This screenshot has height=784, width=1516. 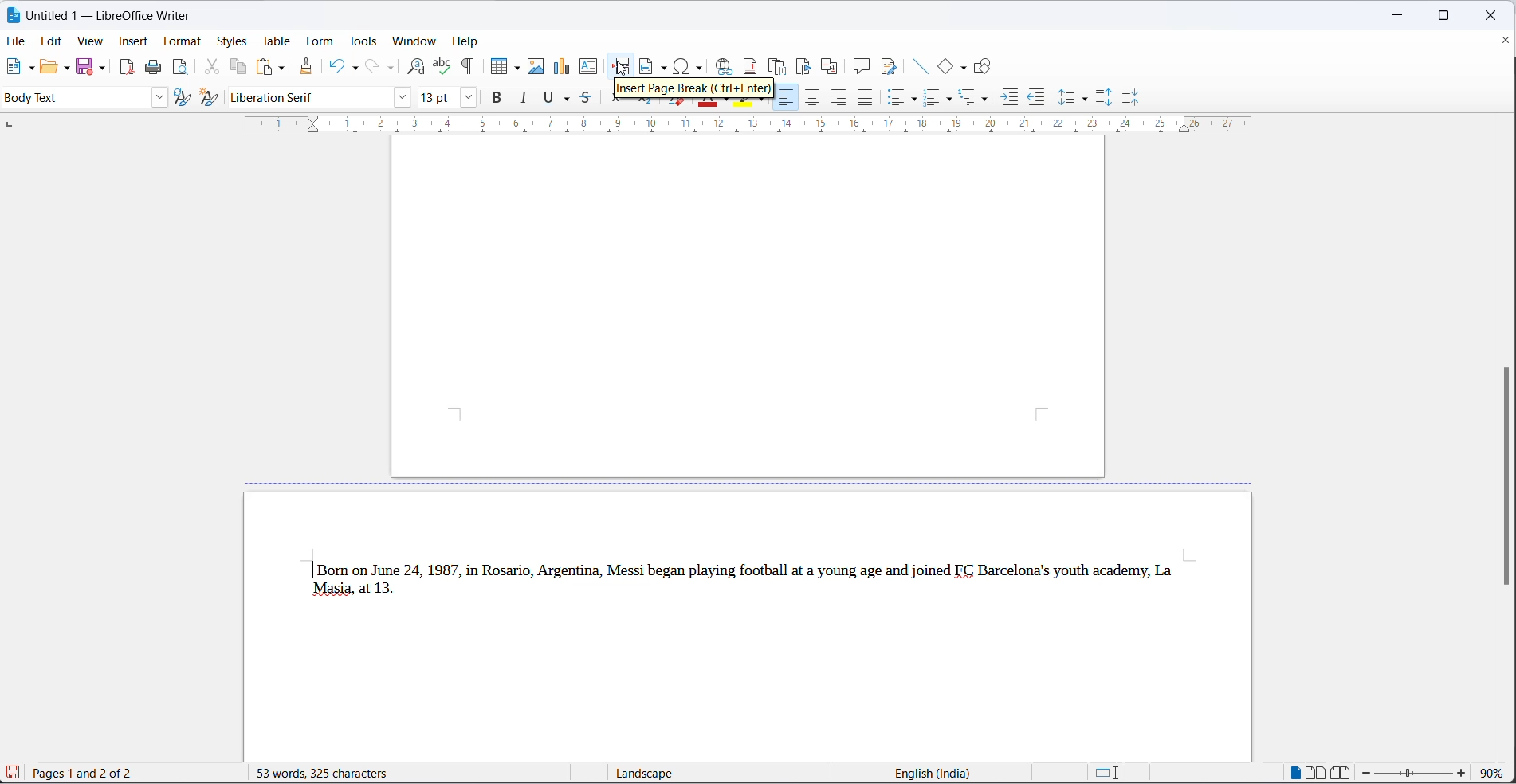 I want to click on line spacing options, so click(x=1066, y=96).